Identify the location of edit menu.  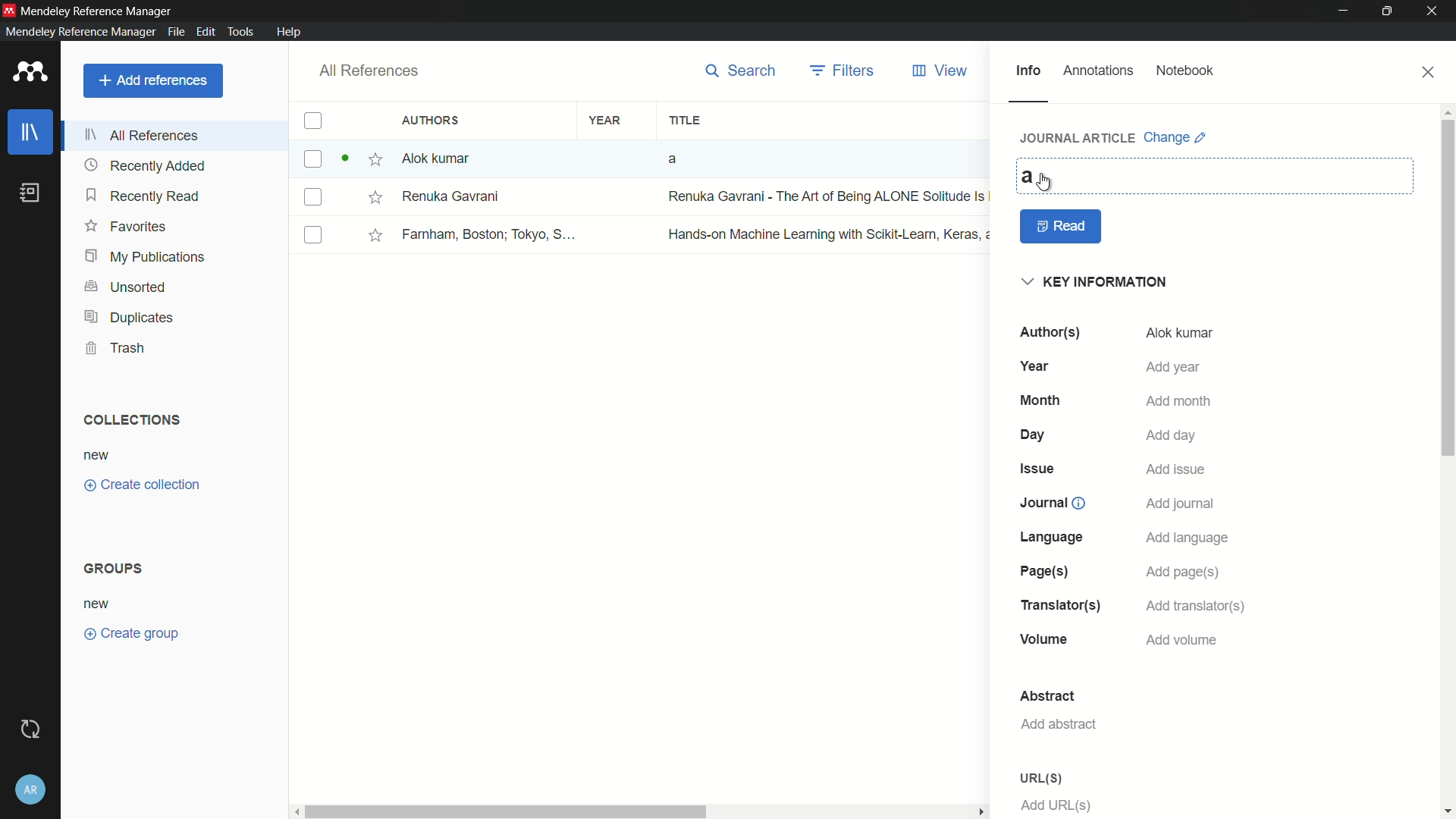
(204, 32).